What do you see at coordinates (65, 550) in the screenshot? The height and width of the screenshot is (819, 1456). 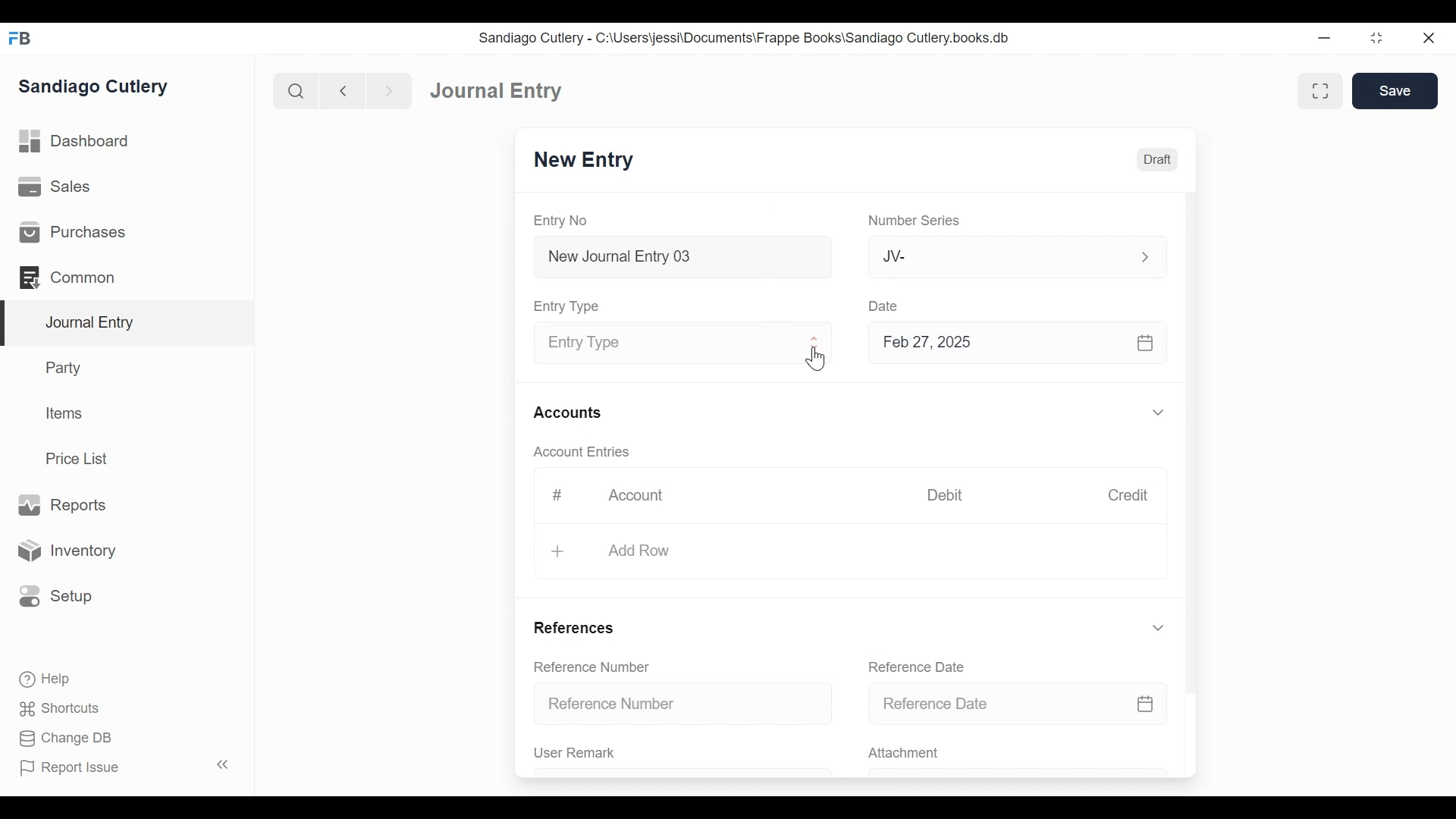 I see `Inventory` at bounding box center [65, 550].